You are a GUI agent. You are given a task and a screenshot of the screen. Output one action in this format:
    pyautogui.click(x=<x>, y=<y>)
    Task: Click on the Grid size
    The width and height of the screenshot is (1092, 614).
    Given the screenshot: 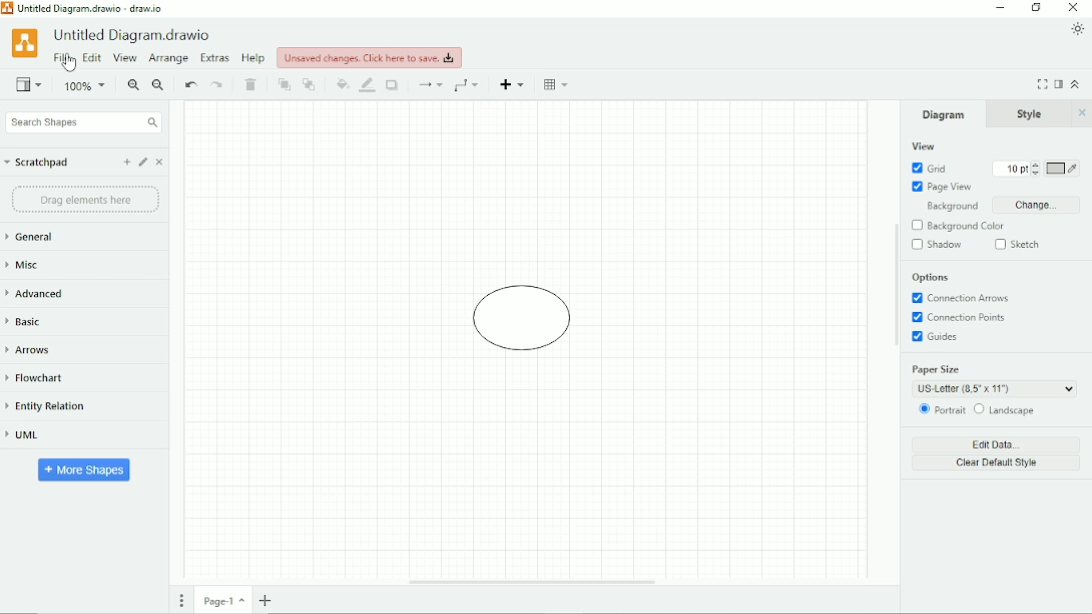 What is the action you would take?
    pyautogui.click(x=1017, y=169)
    